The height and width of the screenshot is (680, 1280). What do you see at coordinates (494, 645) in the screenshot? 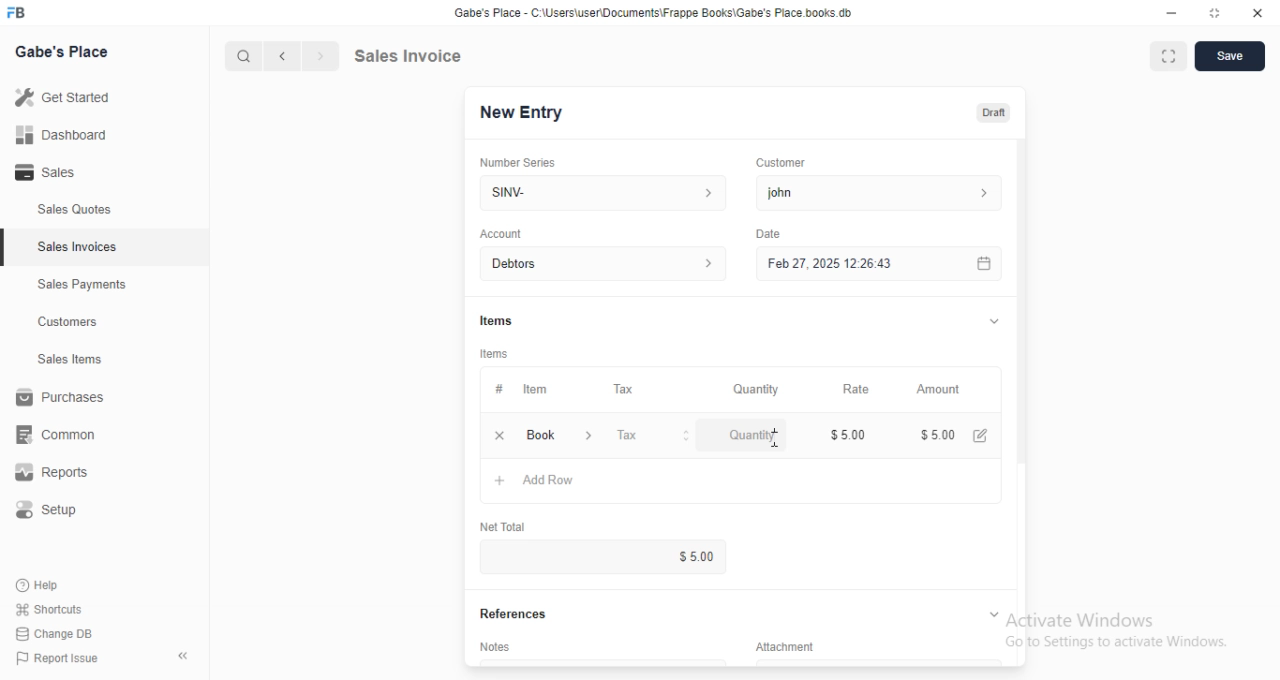
I see `Notes` at bounding box center [494, 645].